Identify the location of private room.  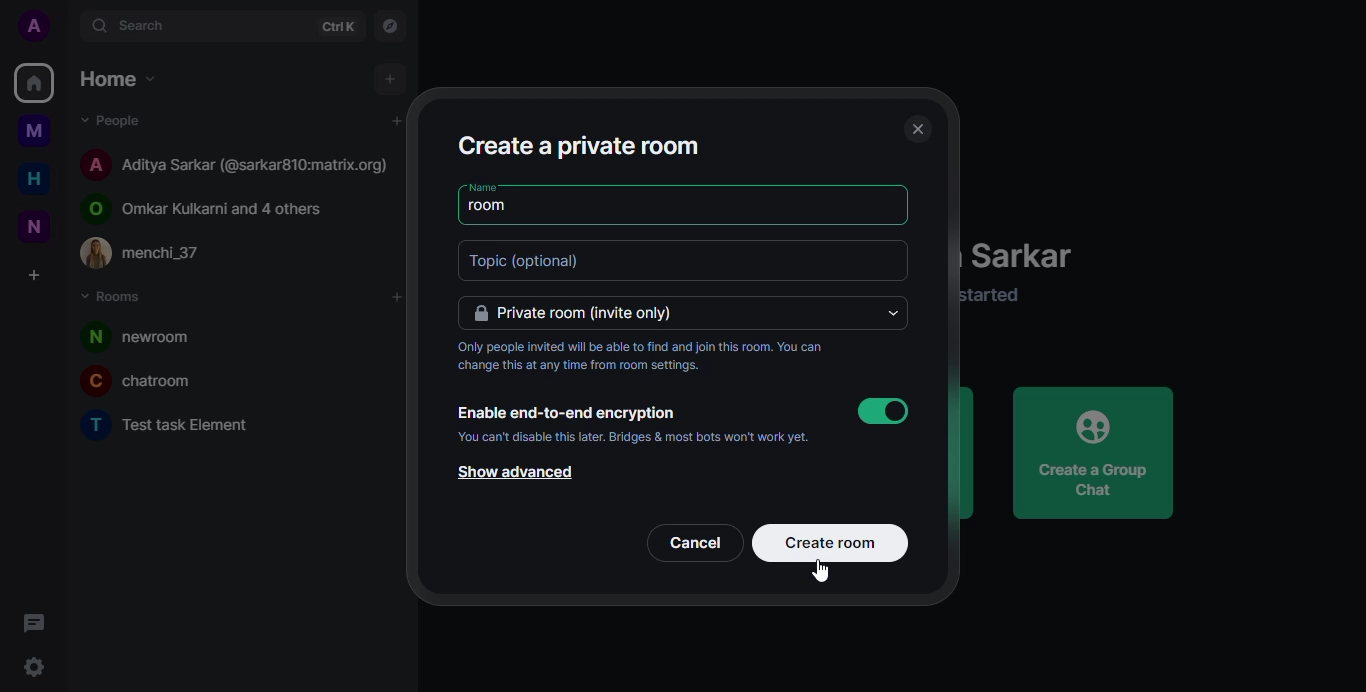
(583, 313).